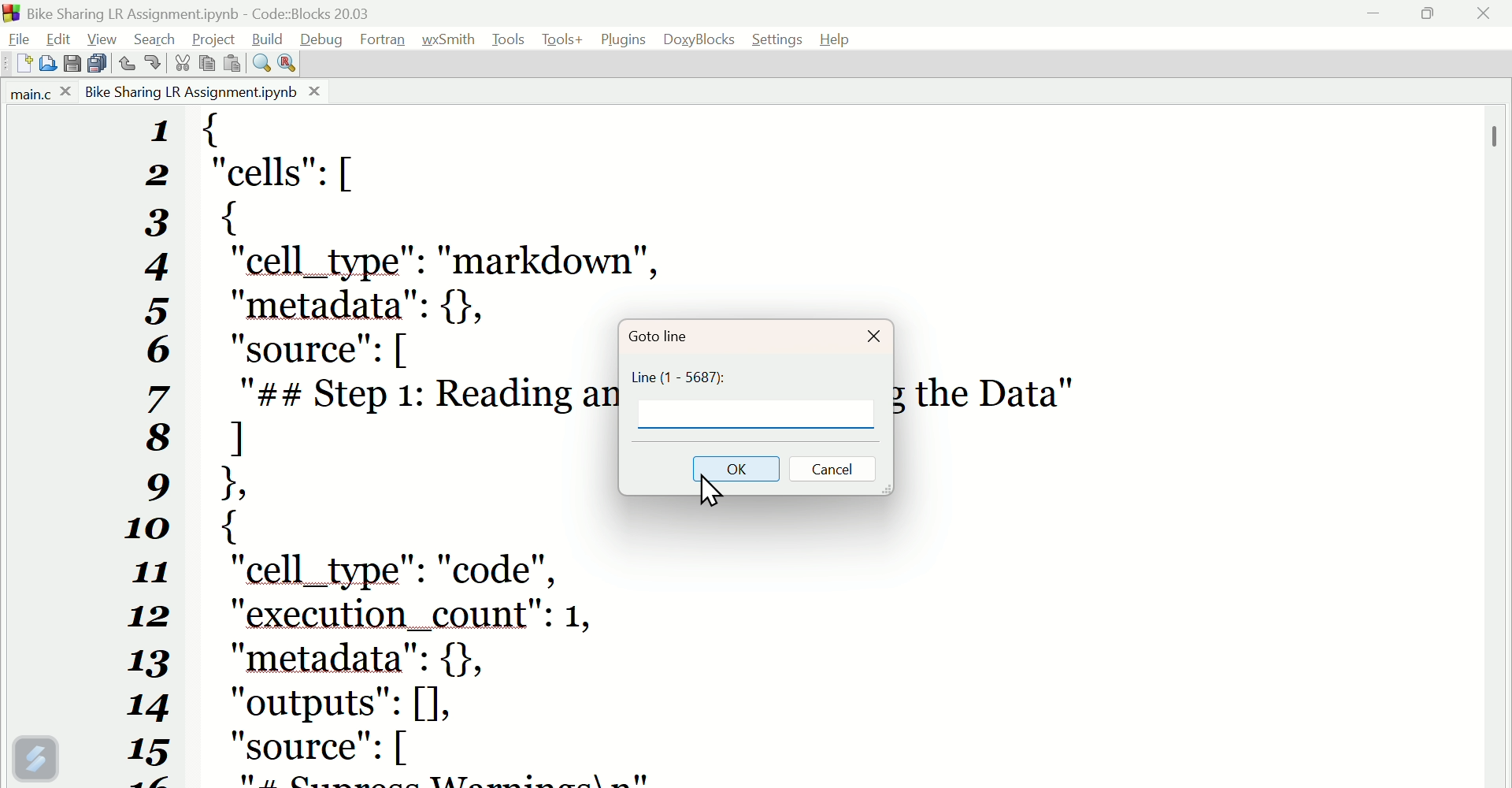 The height and width of the screenshot is (788, 1512). Describe the element at coordinates (51, 64) in the screenshot. I see `Open` at that location.